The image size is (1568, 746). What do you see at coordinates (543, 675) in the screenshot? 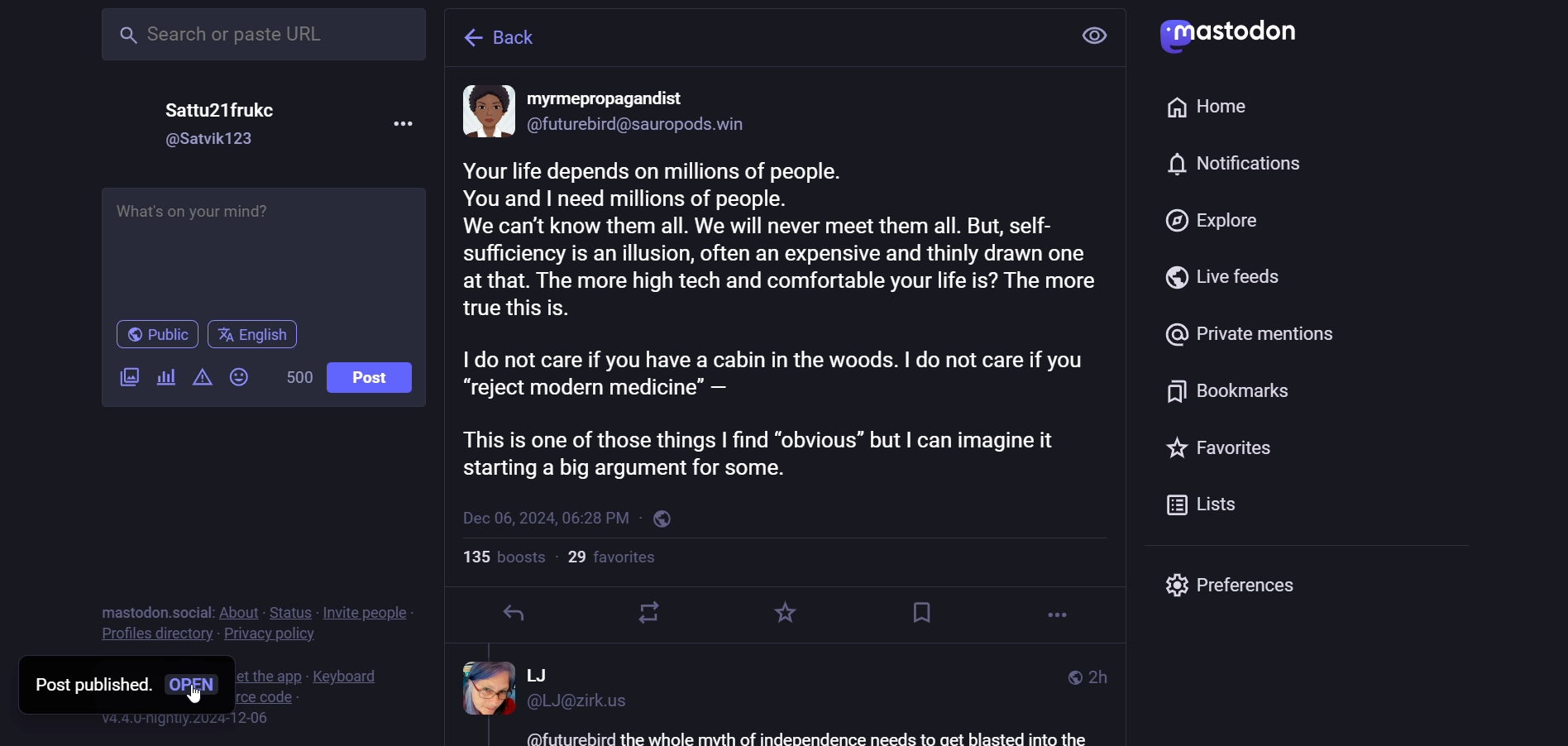
I see `name` at bounding box center [543, 675].